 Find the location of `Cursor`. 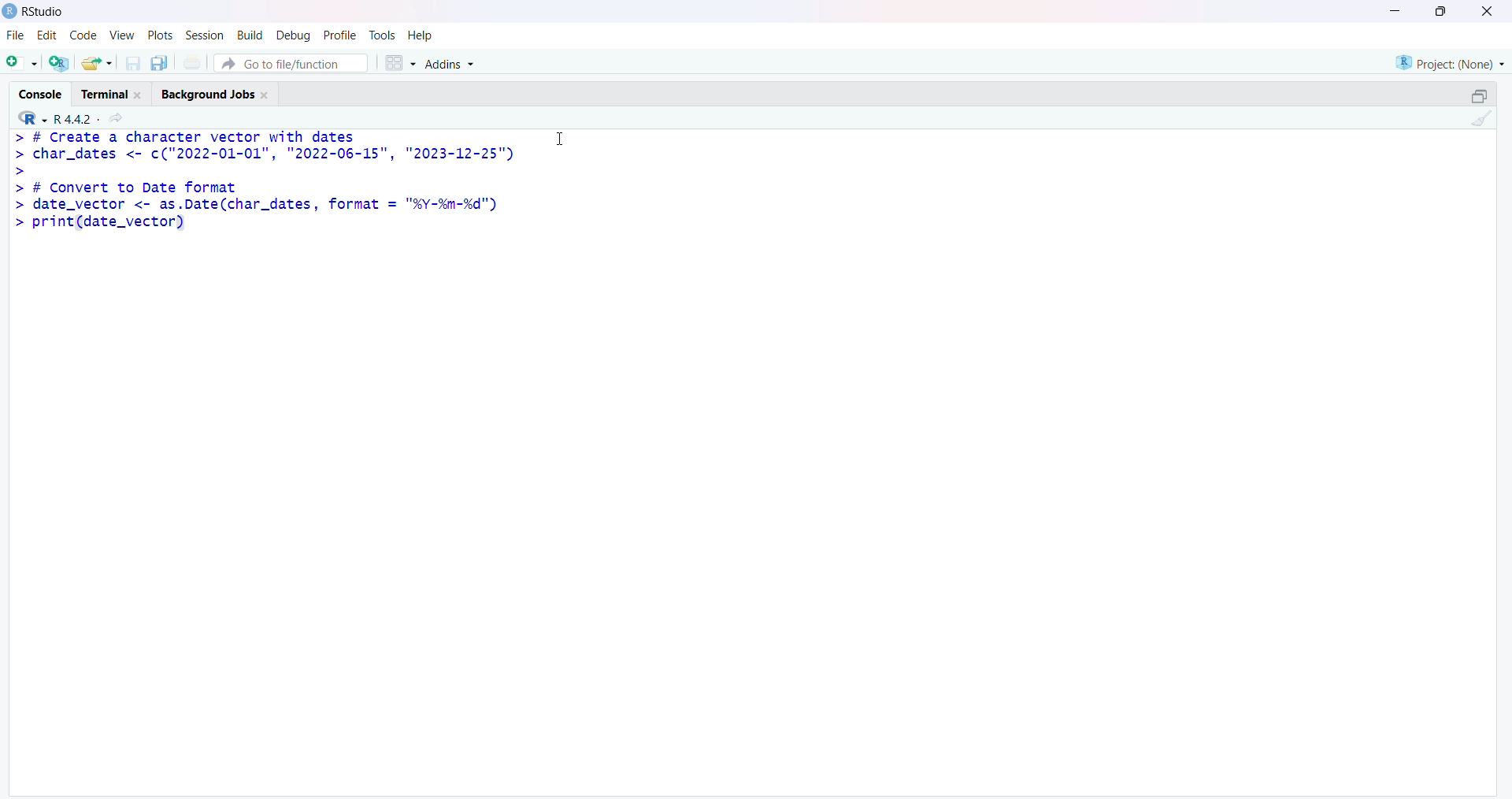

Cursor is located at coordinates (560, 138).